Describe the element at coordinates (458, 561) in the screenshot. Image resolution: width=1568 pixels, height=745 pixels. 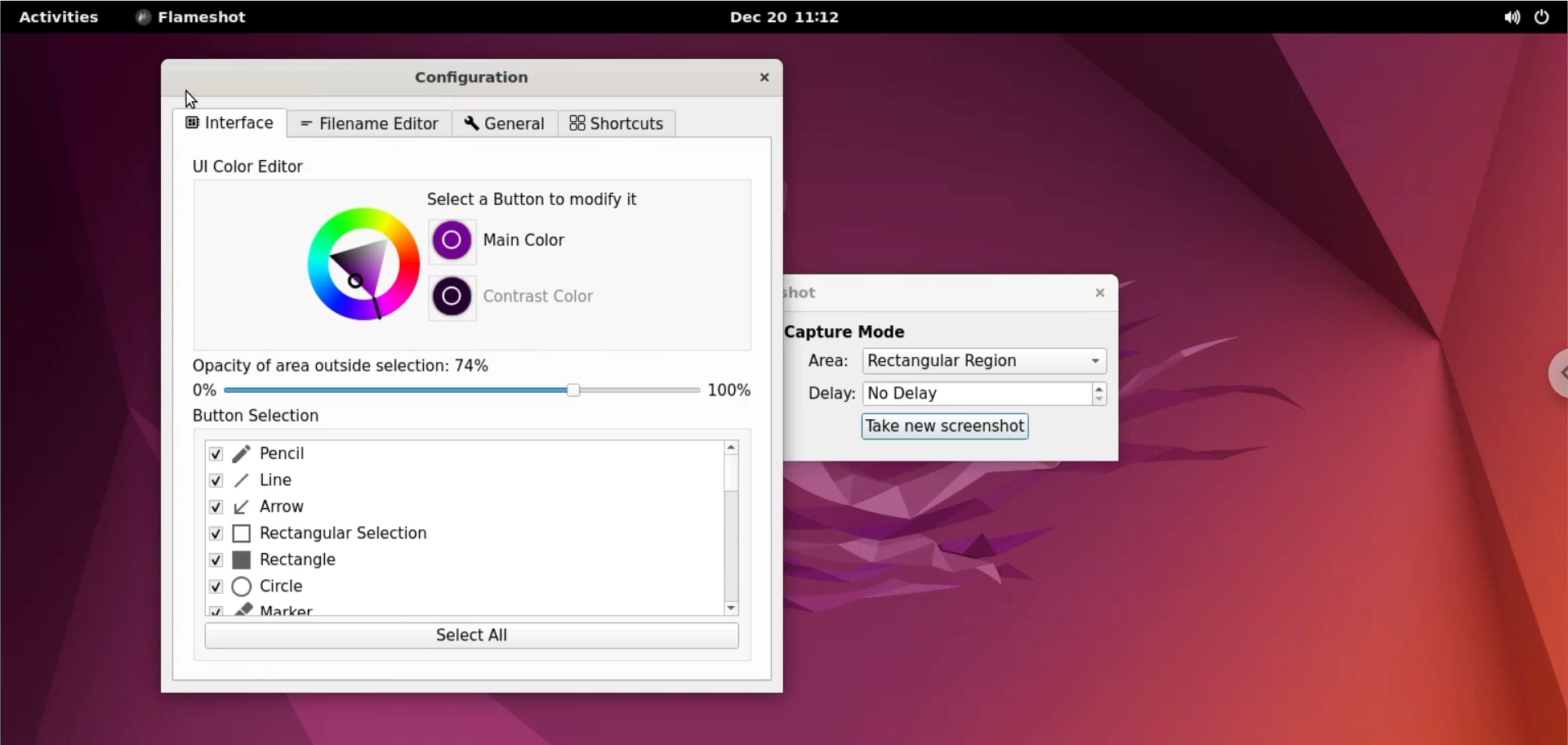
I see `rectangle checkbox` at that location.